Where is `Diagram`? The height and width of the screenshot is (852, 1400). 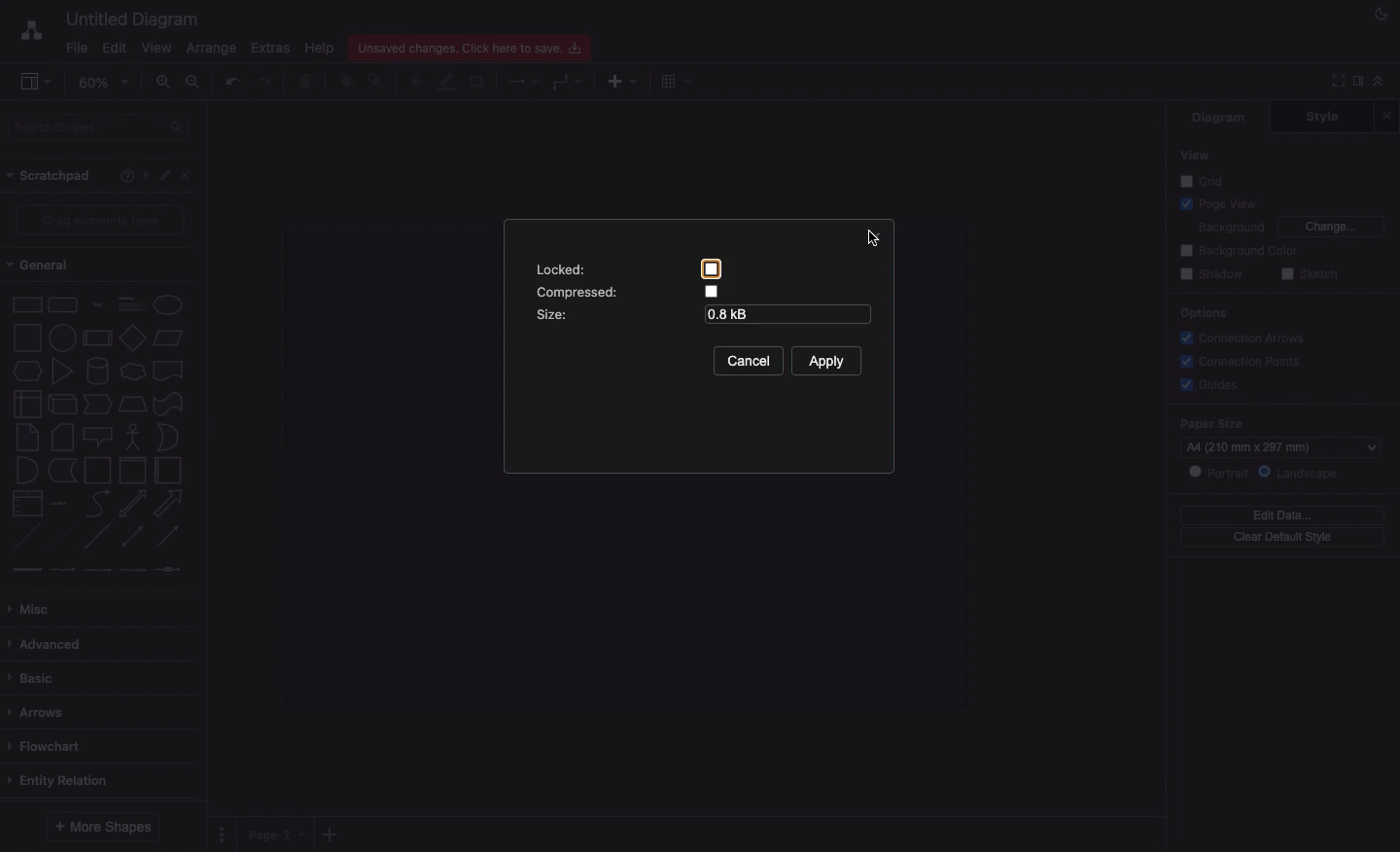
Diagram is located at coordinates (1220, 118).